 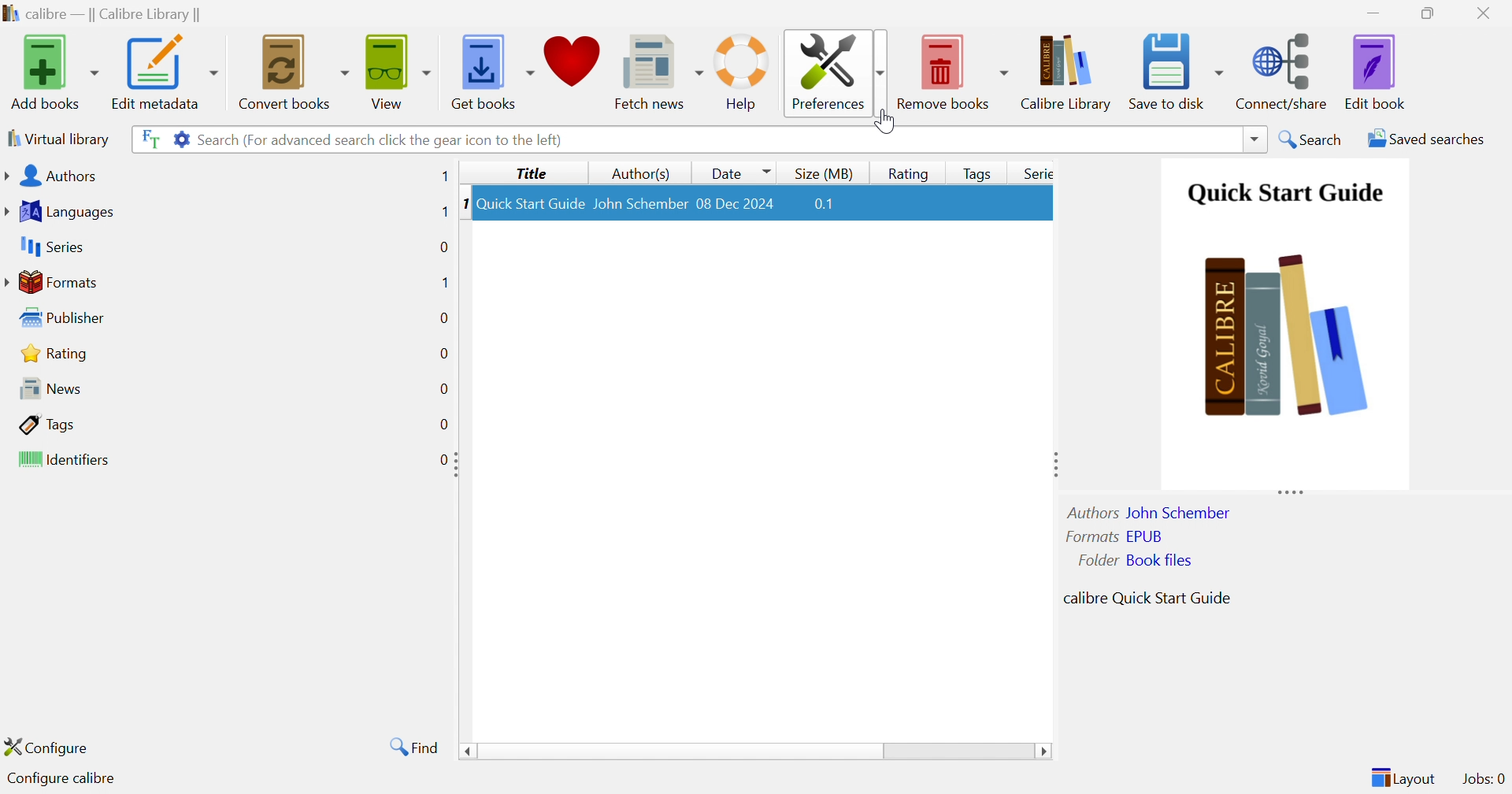 What do you see at coordinates (147, 138) in the screenshot?
I see `Search the full text of all books in the library, not just their metadata` at bounding box center [147, 138].